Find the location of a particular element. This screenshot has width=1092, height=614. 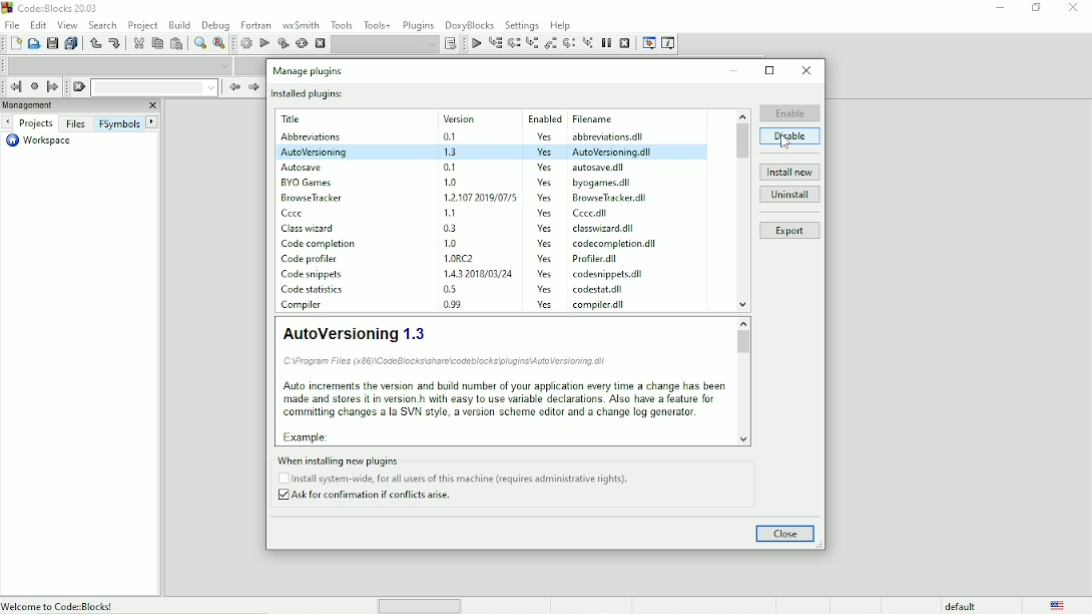

Various info is located at coordinates (669, 43).